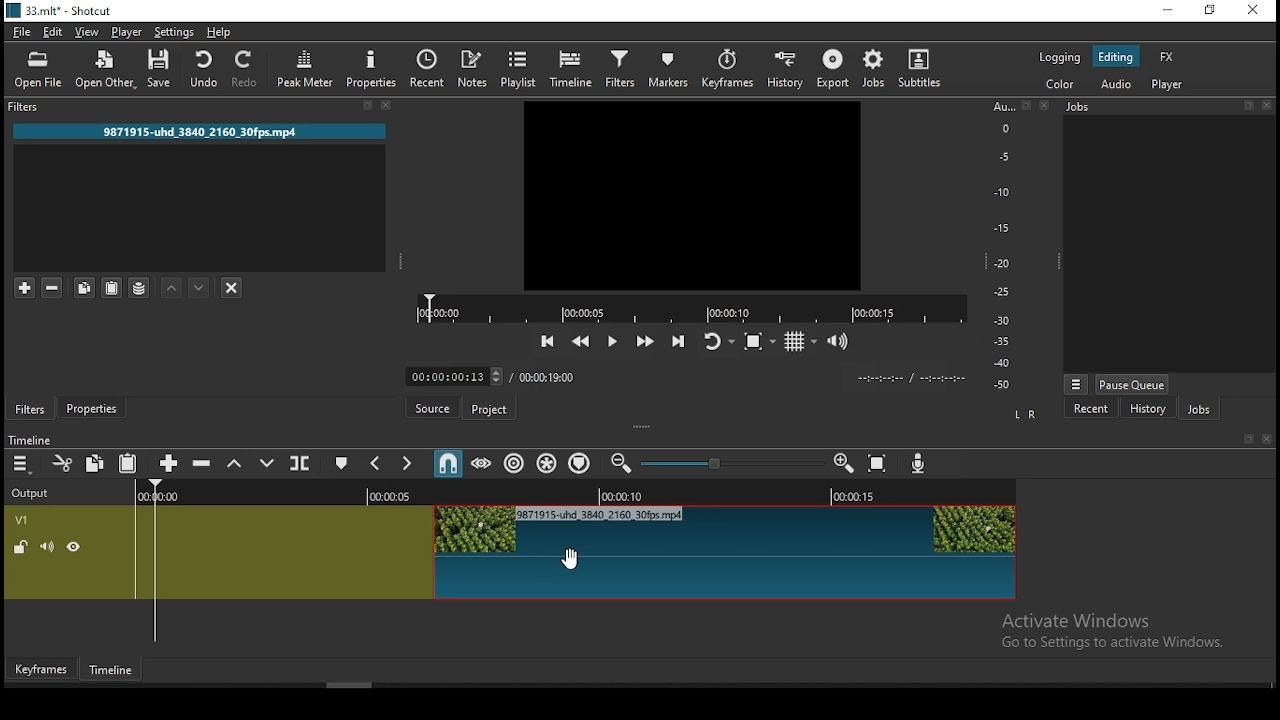  I want to click on Project, so click(488, 407).